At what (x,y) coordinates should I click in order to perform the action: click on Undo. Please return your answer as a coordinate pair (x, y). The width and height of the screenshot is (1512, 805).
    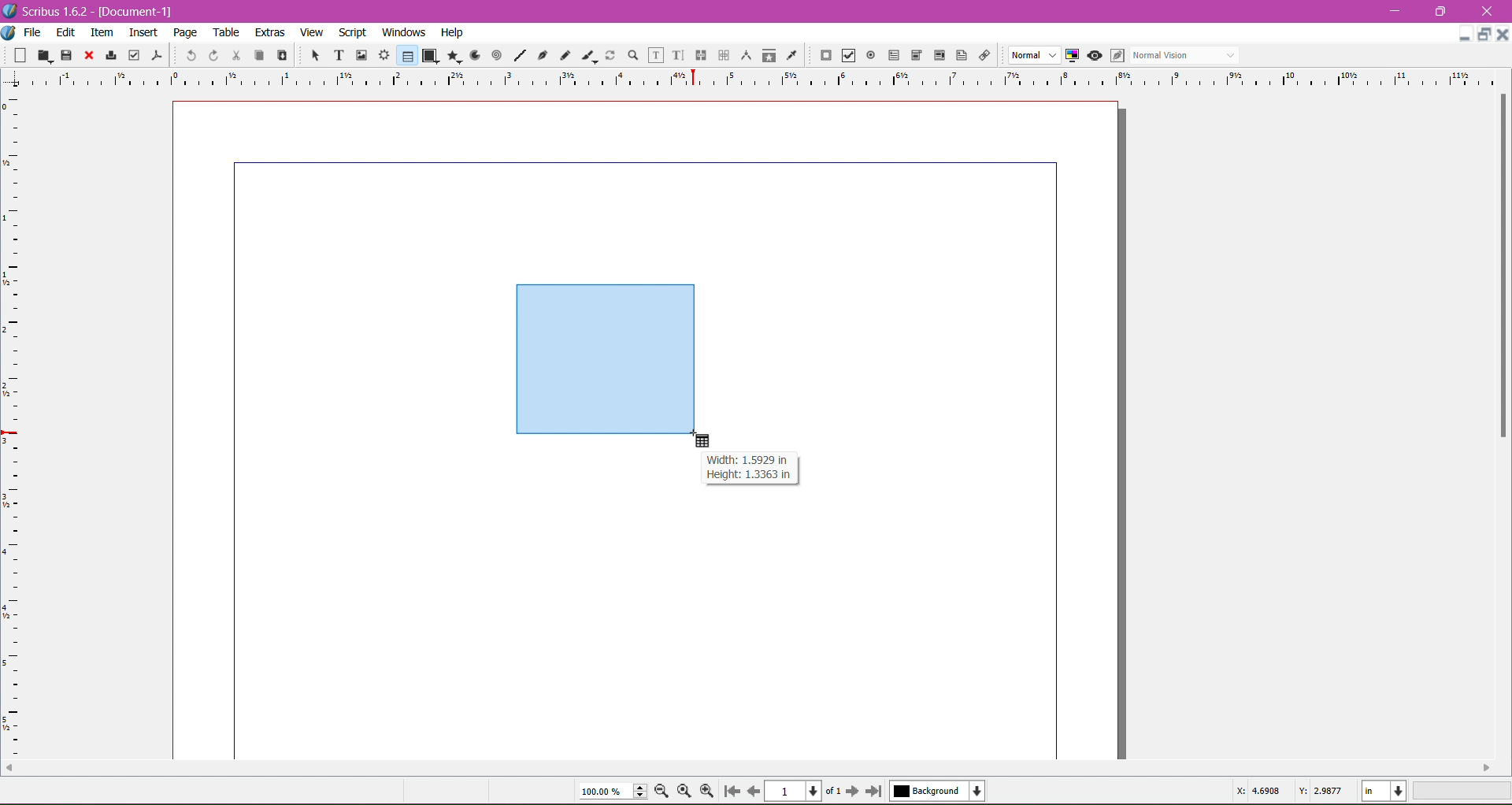
    Looking at the image, I should click on (189, 54).